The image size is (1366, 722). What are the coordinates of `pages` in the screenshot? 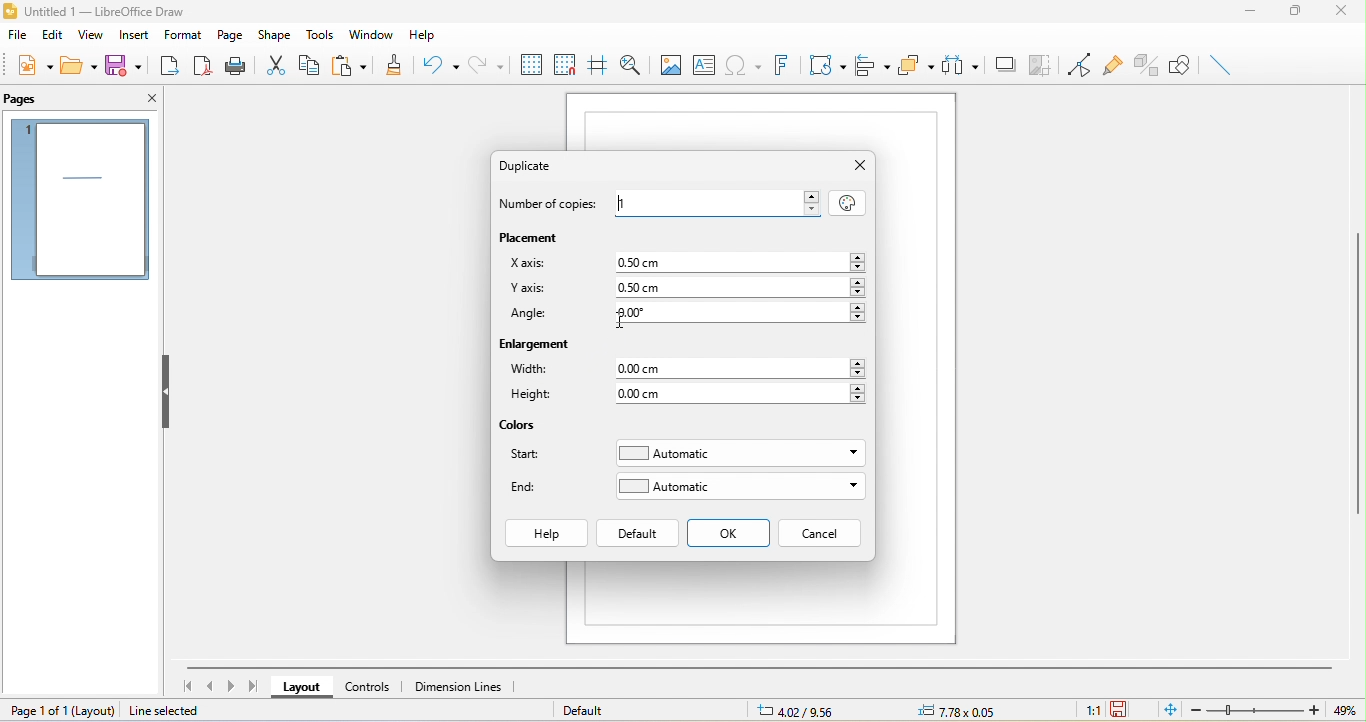 It's located at (79, 200).